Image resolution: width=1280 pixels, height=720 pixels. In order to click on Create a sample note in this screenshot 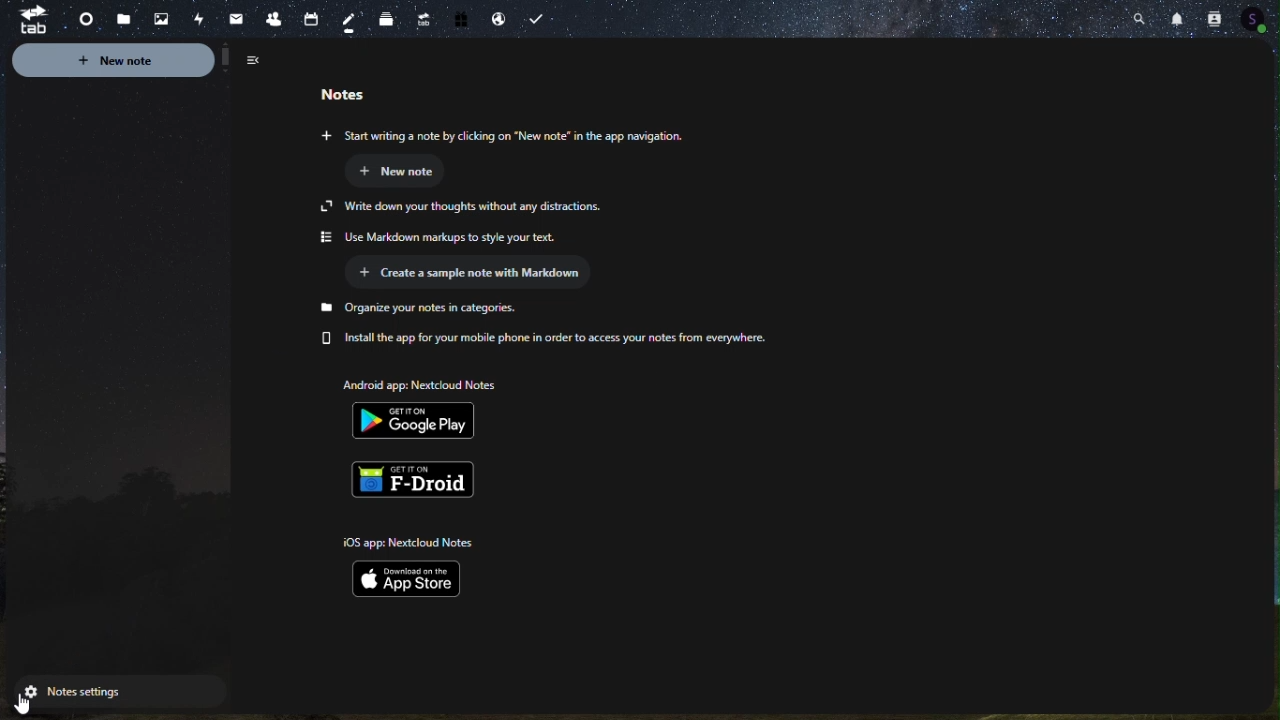, I will do `click(483, 273)`.